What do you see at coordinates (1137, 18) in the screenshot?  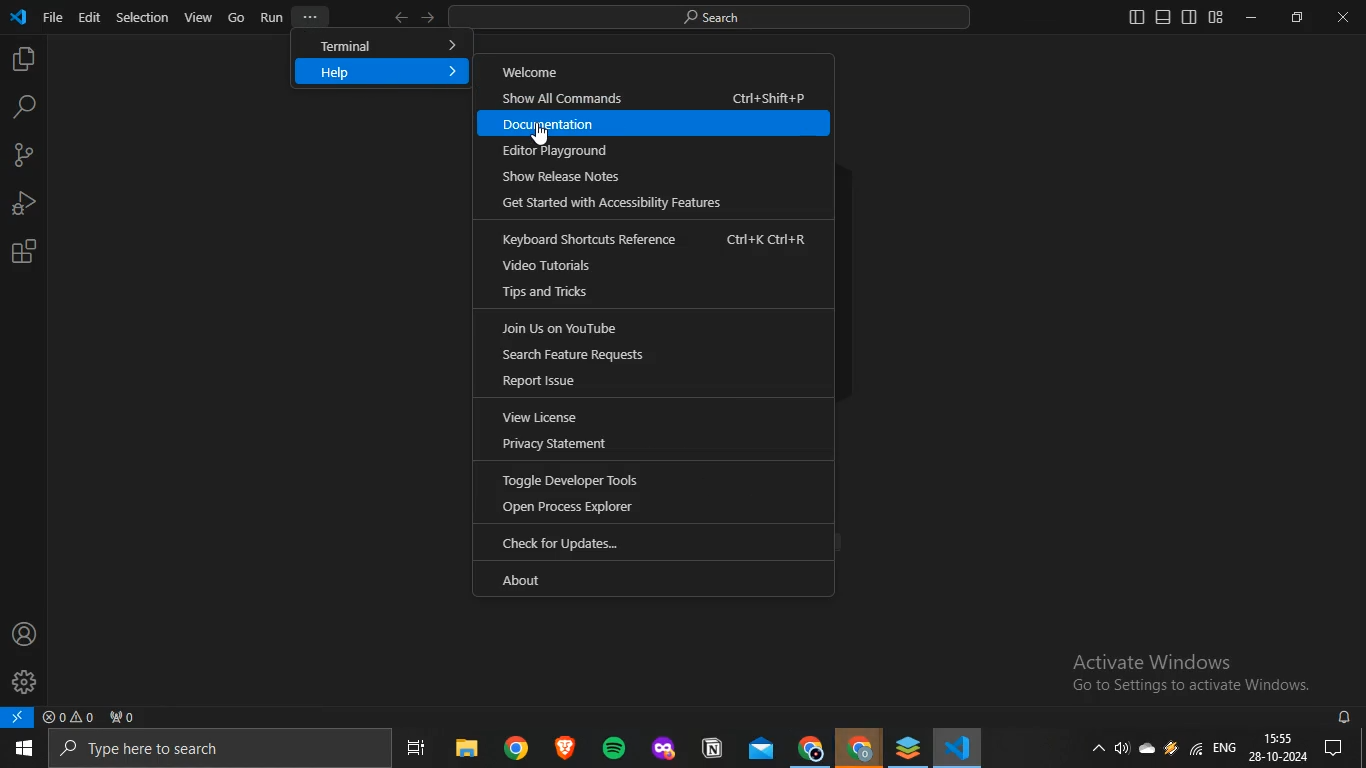 I see `toggle primary sidebar` at bounding box center [1137, 18].